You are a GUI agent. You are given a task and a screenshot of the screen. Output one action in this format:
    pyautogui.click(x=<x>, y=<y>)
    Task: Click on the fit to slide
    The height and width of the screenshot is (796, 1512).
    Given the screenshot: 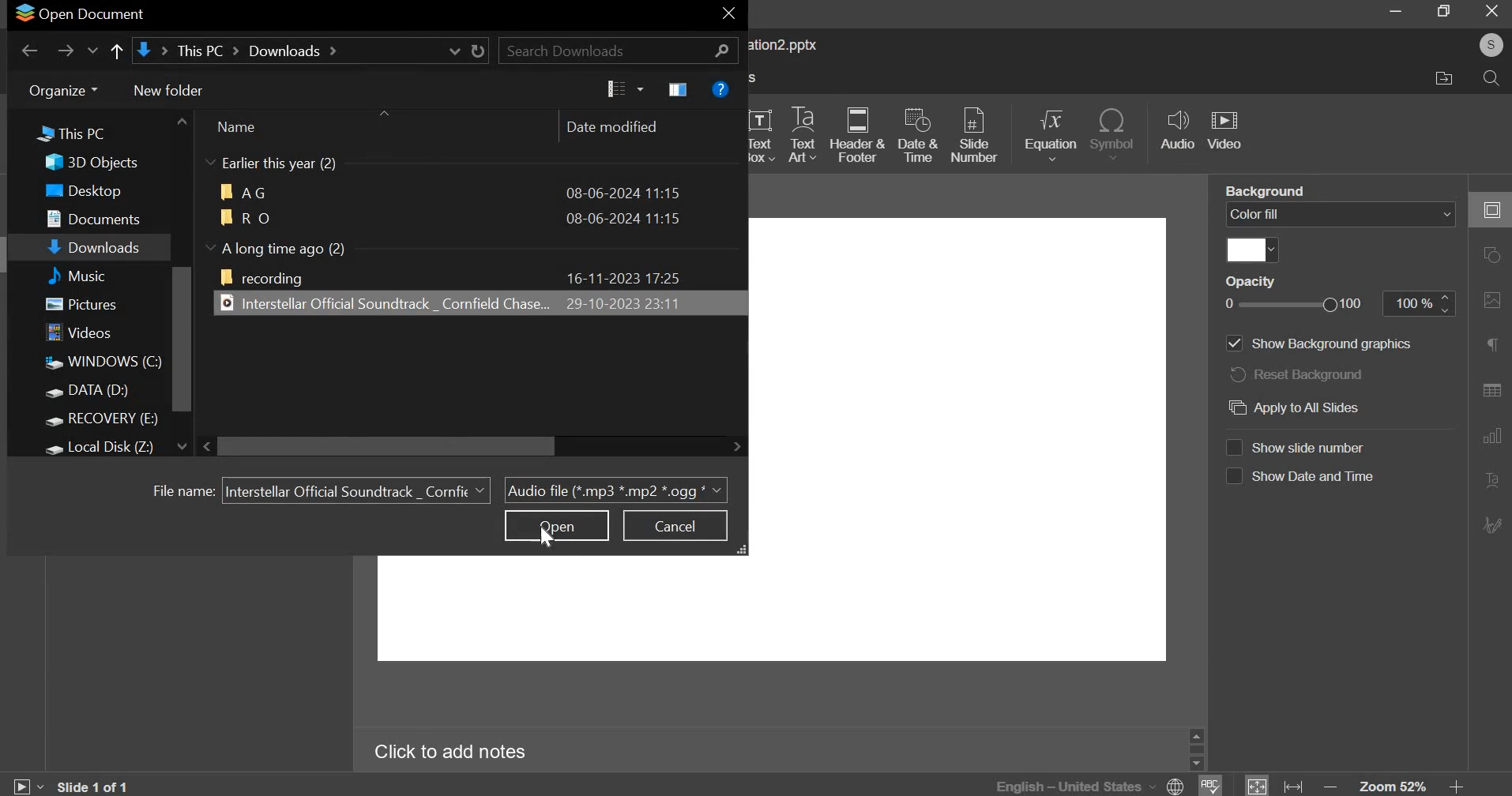 What is the action you would take?
    pyautogui.click(x=1256, y=784)
    